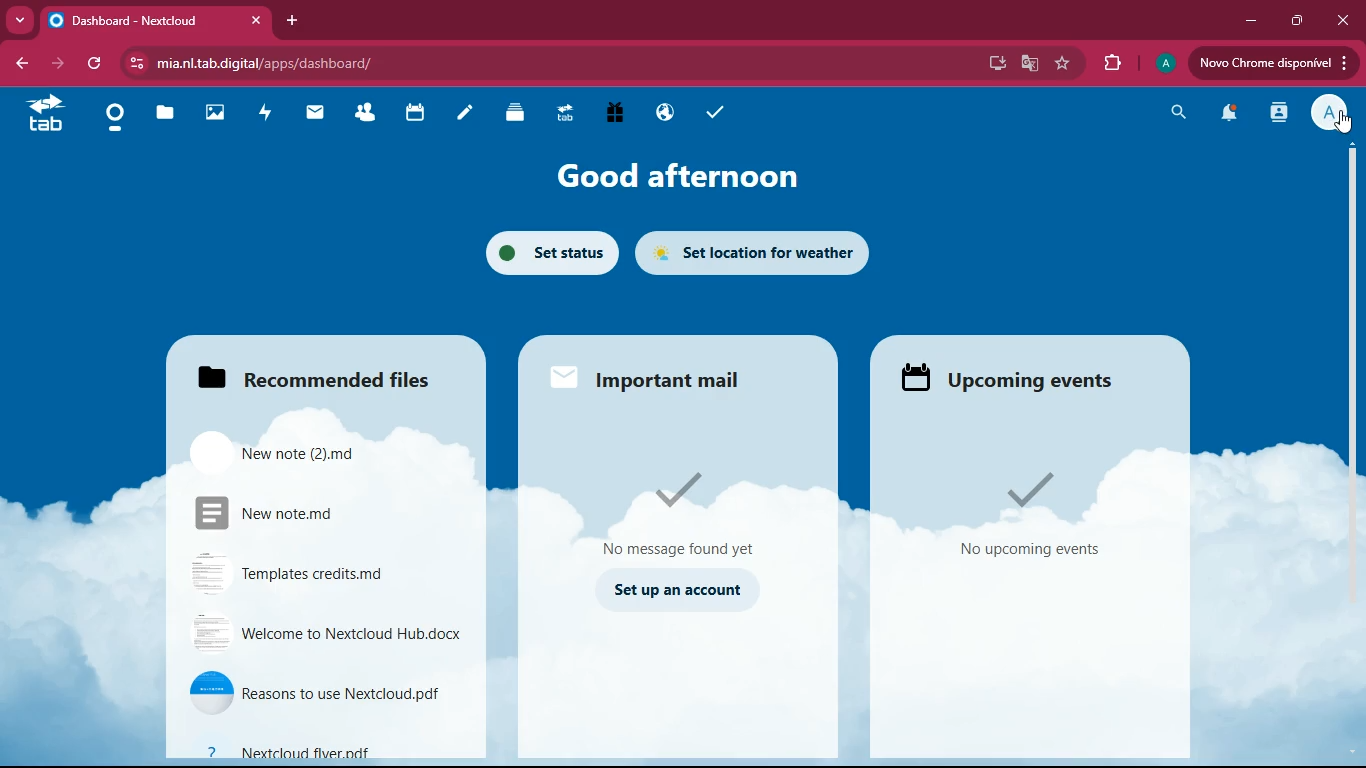  I want to click on set status, so click(544, 255).